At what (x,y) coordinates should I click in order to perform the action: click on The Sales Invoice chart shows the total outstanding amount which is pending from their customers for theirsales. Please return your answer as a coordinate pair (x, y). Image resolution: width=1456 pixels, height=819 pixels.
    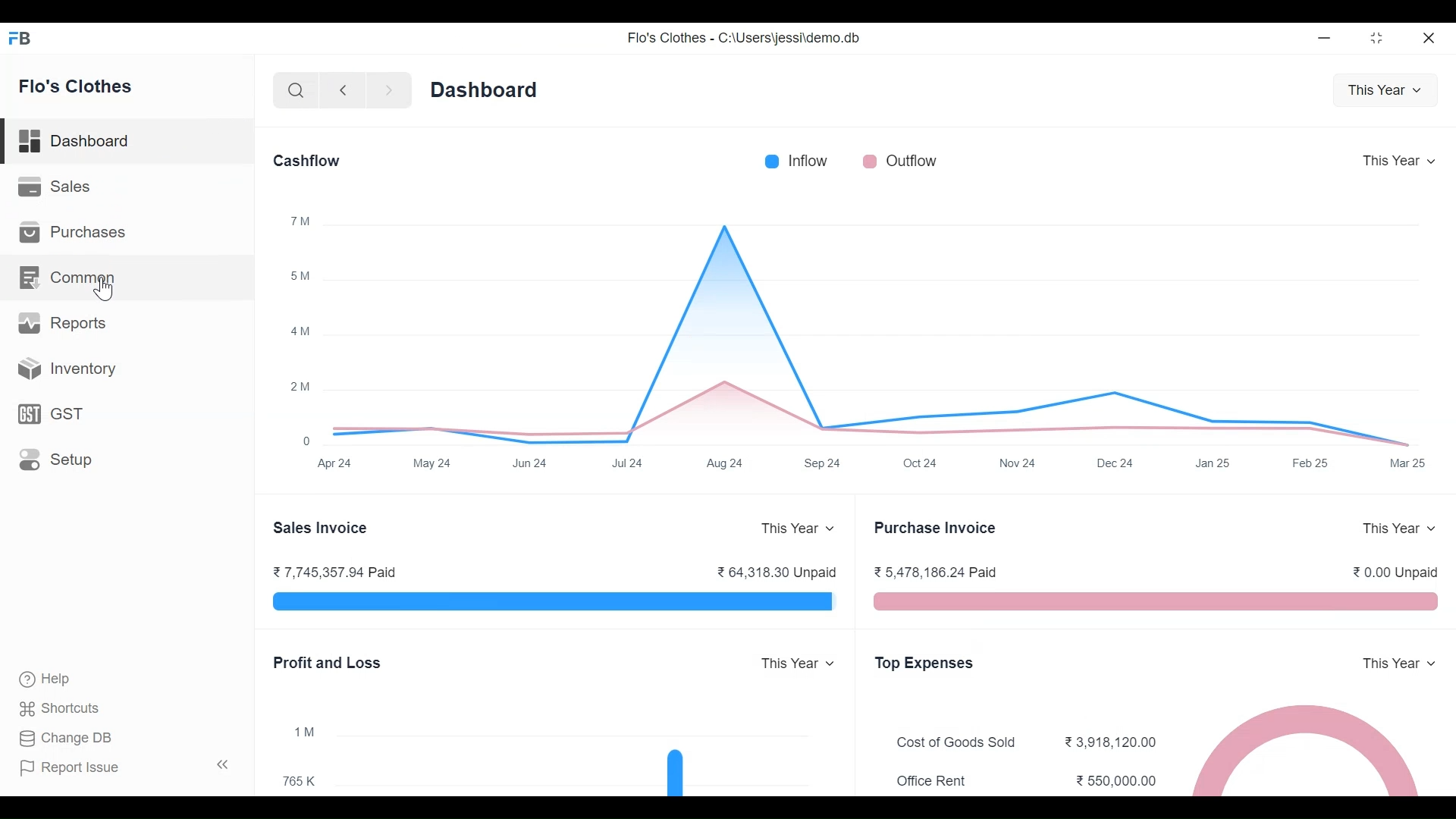
    Looking at the image, I should click on (553, 602).